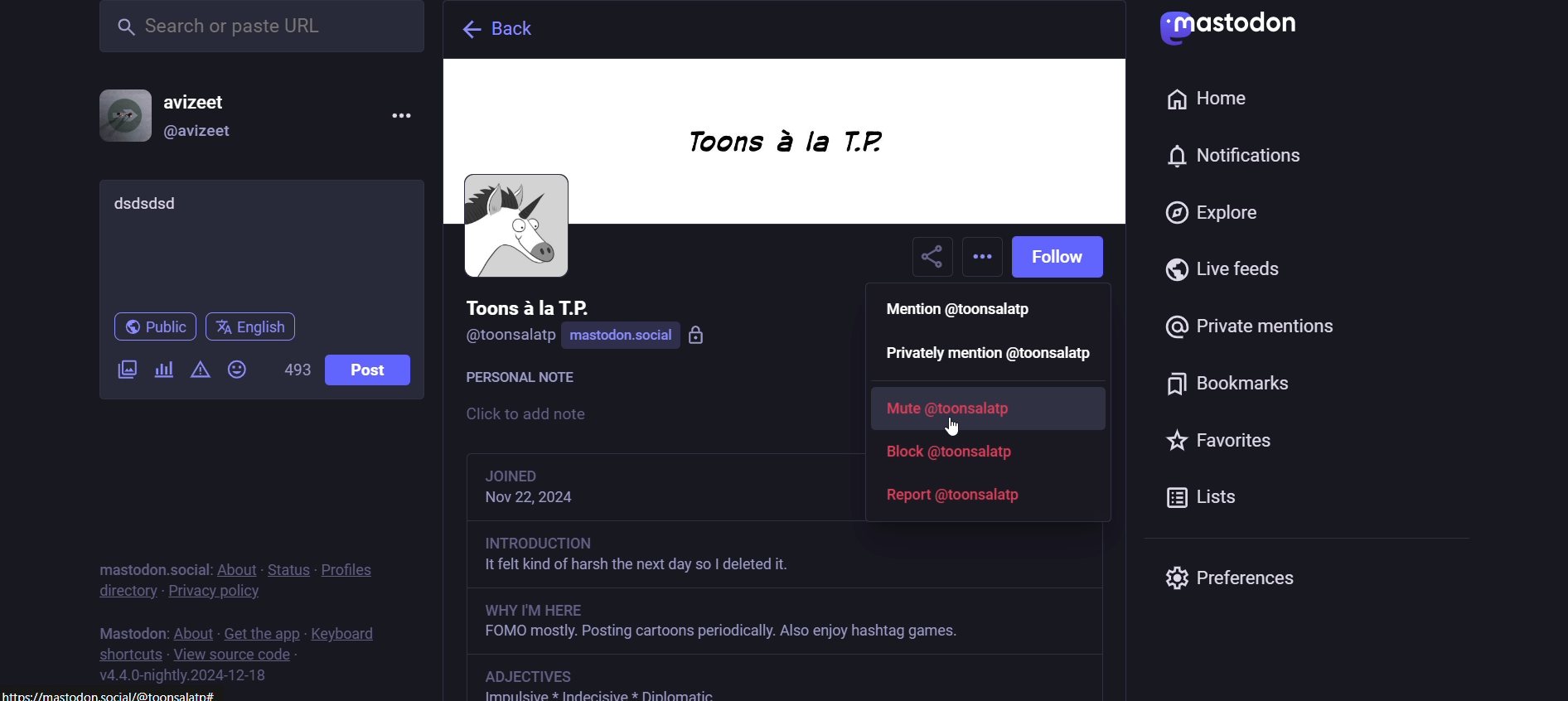 This screenshot has width=1568, height=701. I want to click on user informatin, so click(564, 488).